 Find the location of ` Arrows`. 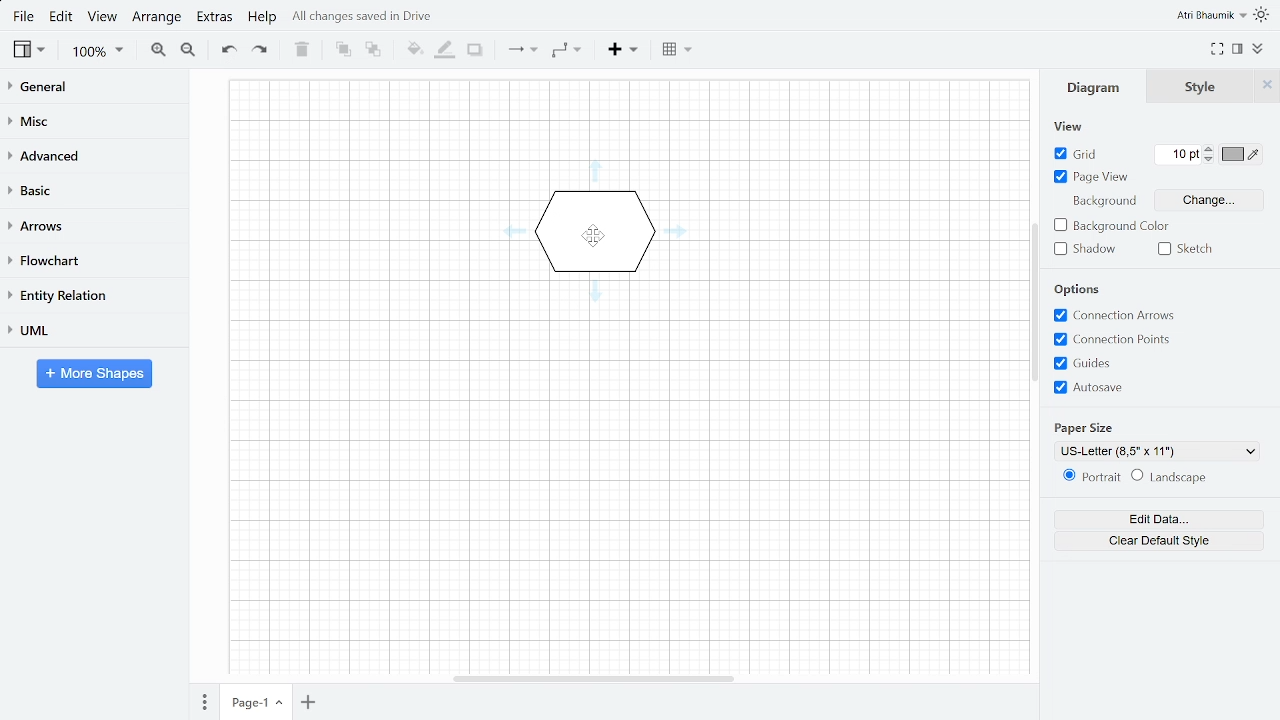

 Arrows is located at coordinates (90, 224).